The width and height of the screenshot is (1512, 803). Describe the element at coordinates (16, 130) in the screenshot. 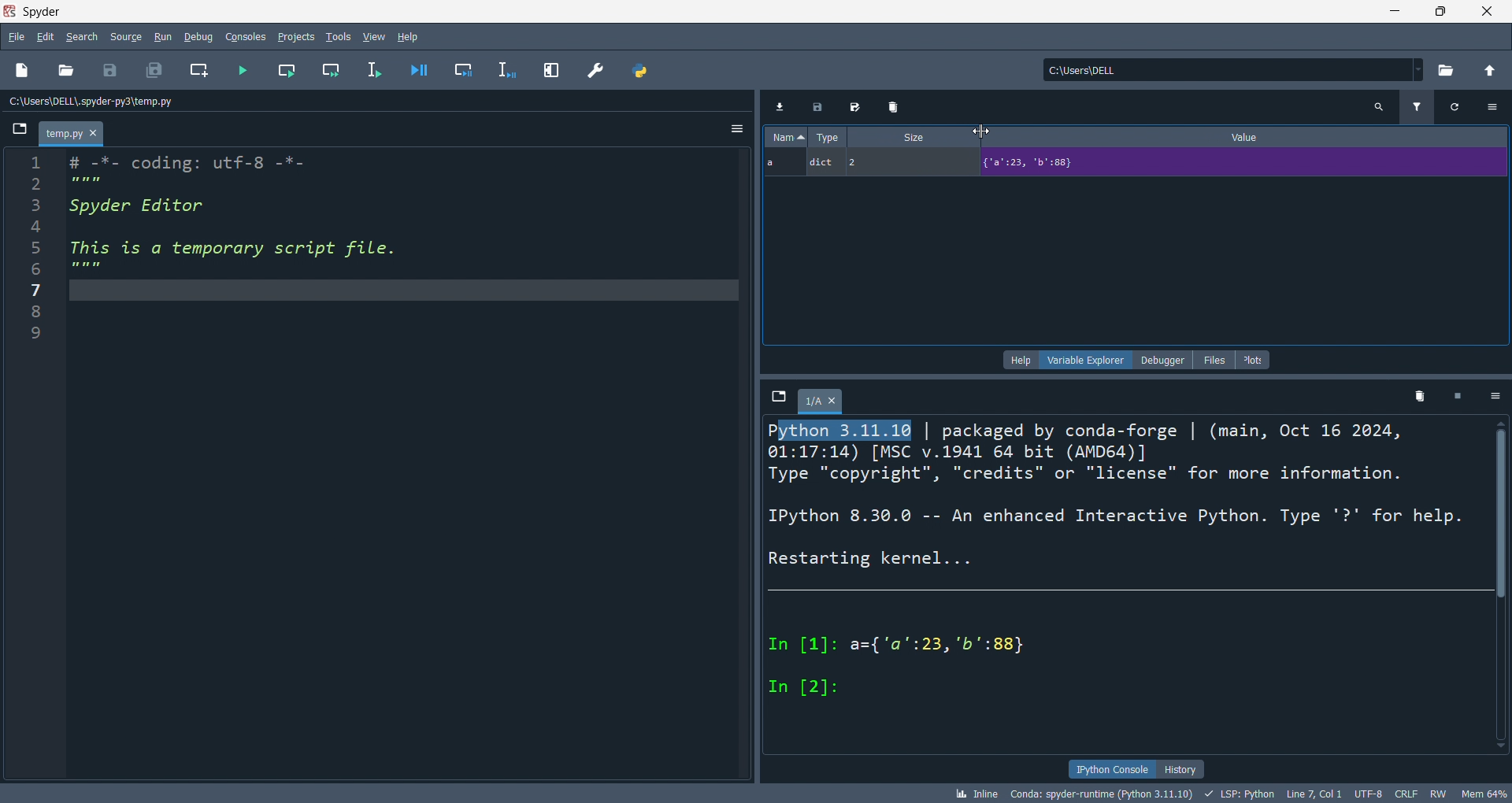

I see `browse tabs` at that location.